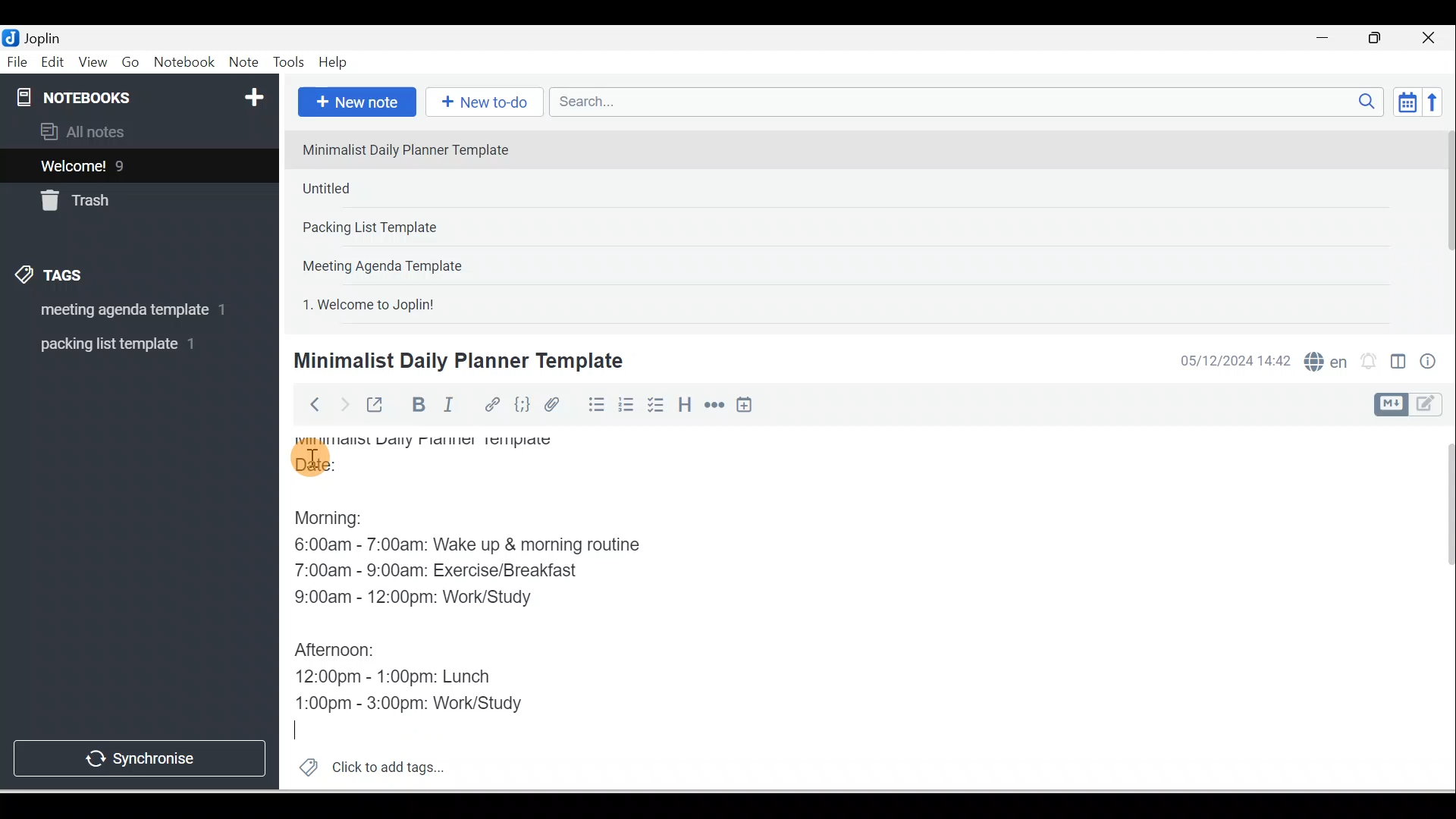 This screenshot has width=1456, height=819. I want to click on Note 5, so click(424, 303).